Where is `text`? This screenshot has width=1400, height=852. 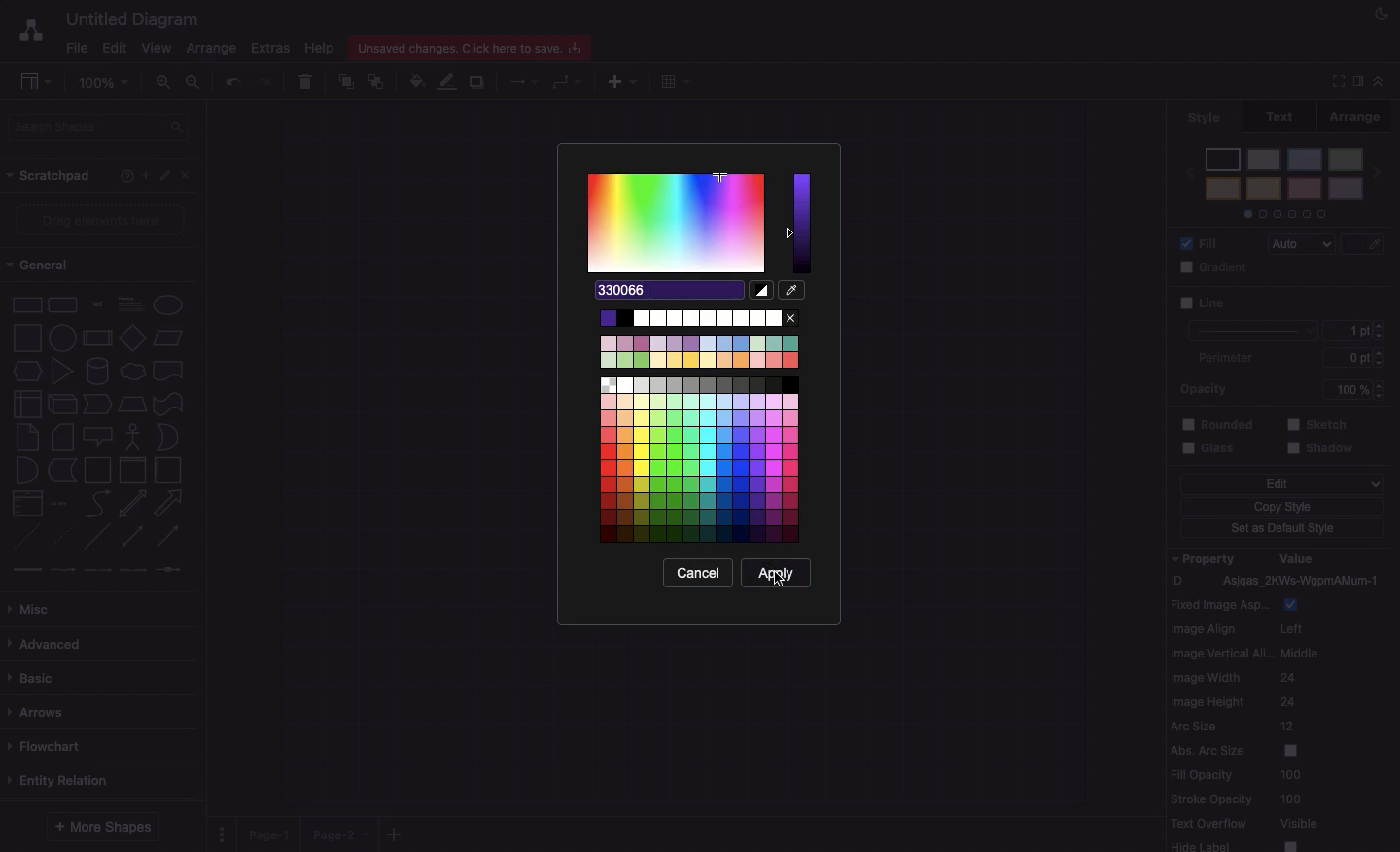
text is located at coordinates (96, 303).